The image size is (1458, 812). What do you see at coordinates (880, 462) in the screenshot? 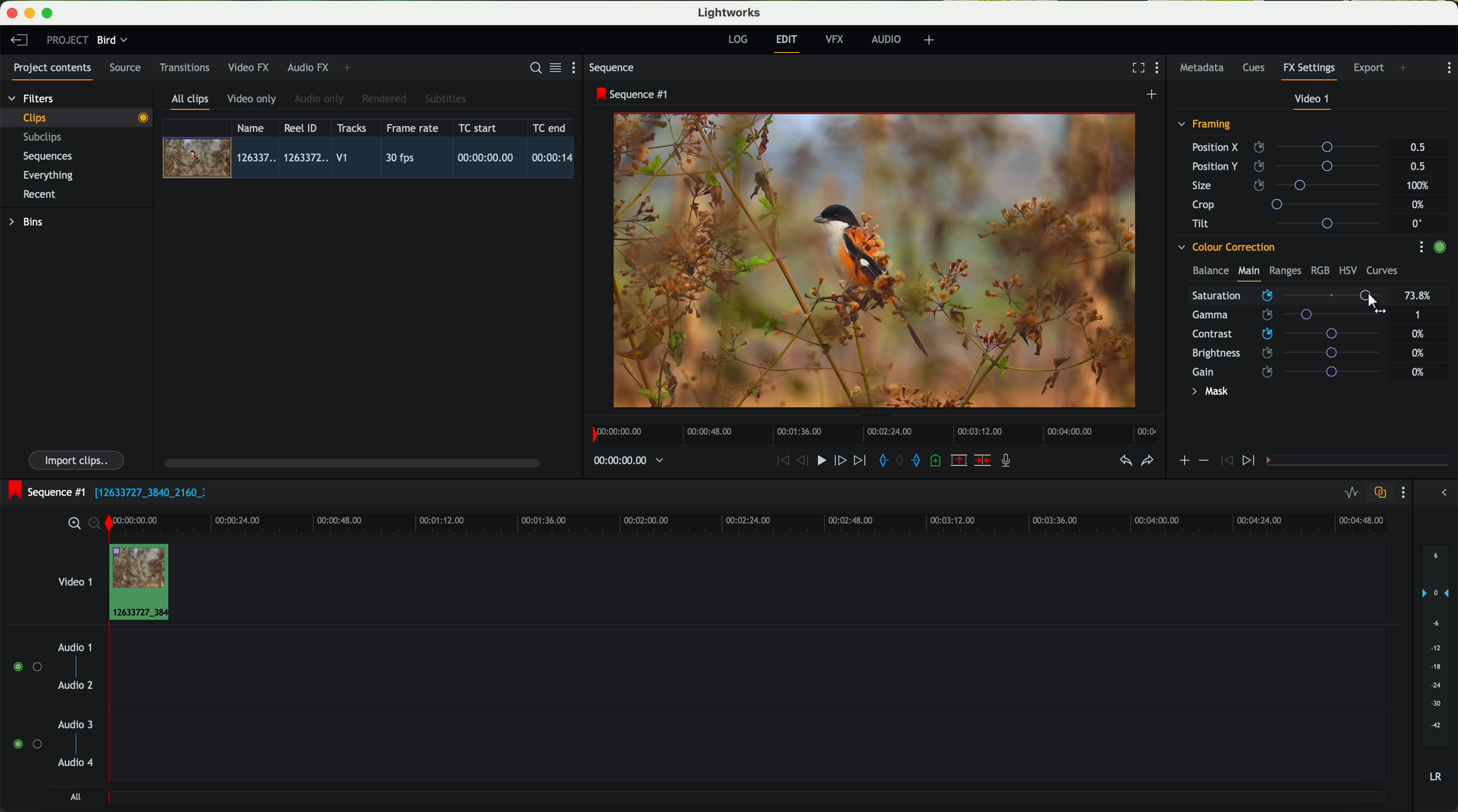
I see `add 'in' mark` at bounding box center [880, 462].